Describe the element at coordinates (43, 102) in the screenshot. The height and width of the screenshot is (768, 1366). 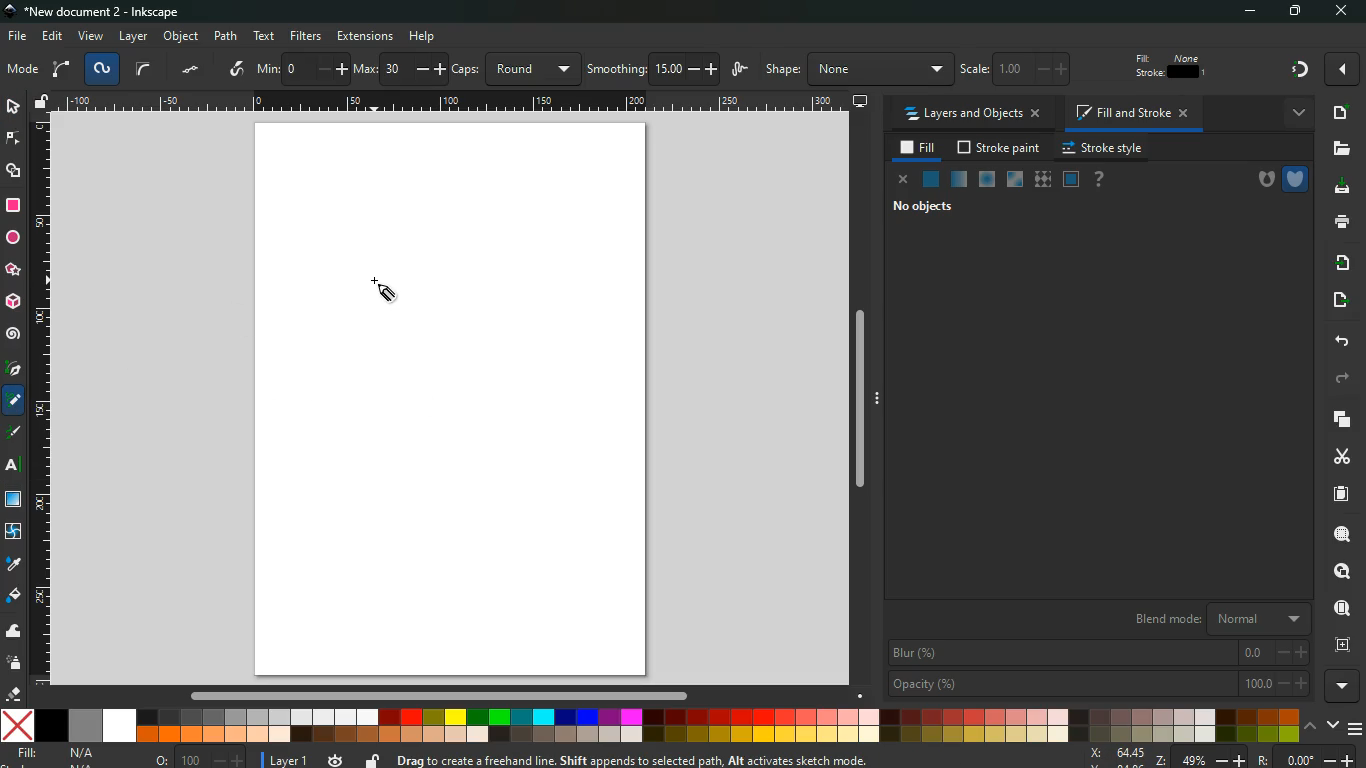
I see `unlock` at that location.